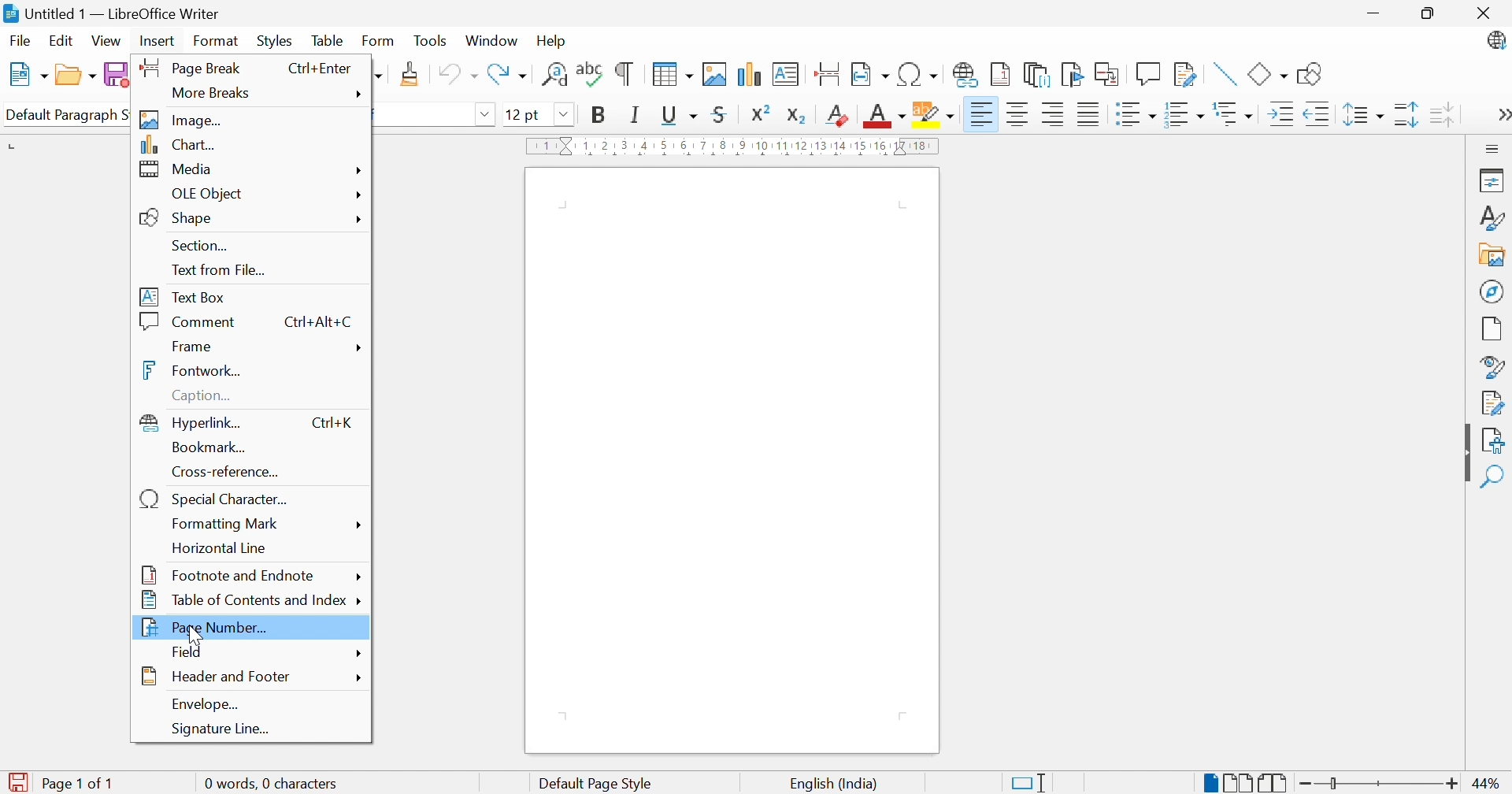  I want to click on Show track changes functions, so click(1185, 73).